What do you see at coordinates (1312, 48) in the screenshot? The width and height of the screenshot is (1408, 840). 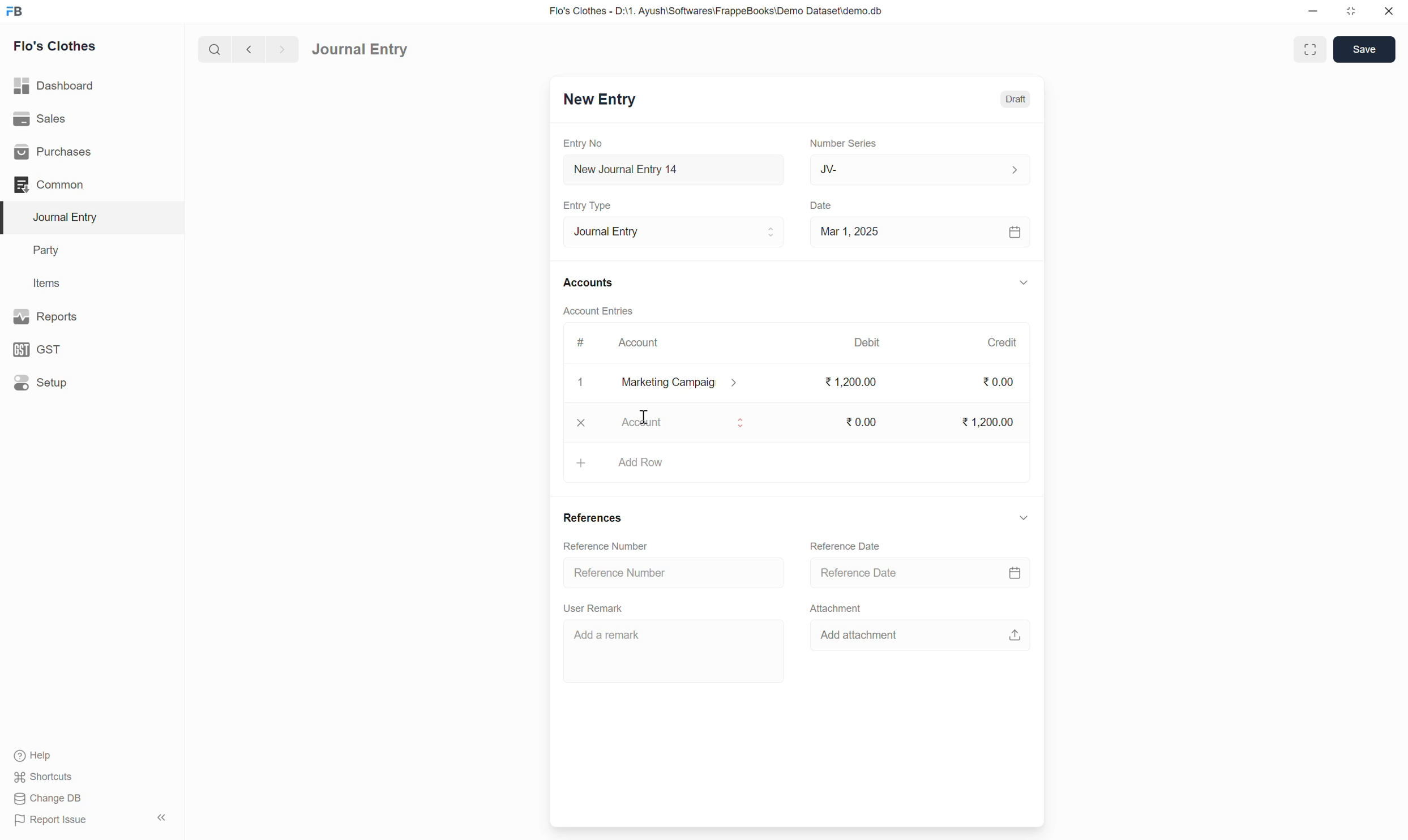 I see `enlarge` at bounding box center [1312, 48].